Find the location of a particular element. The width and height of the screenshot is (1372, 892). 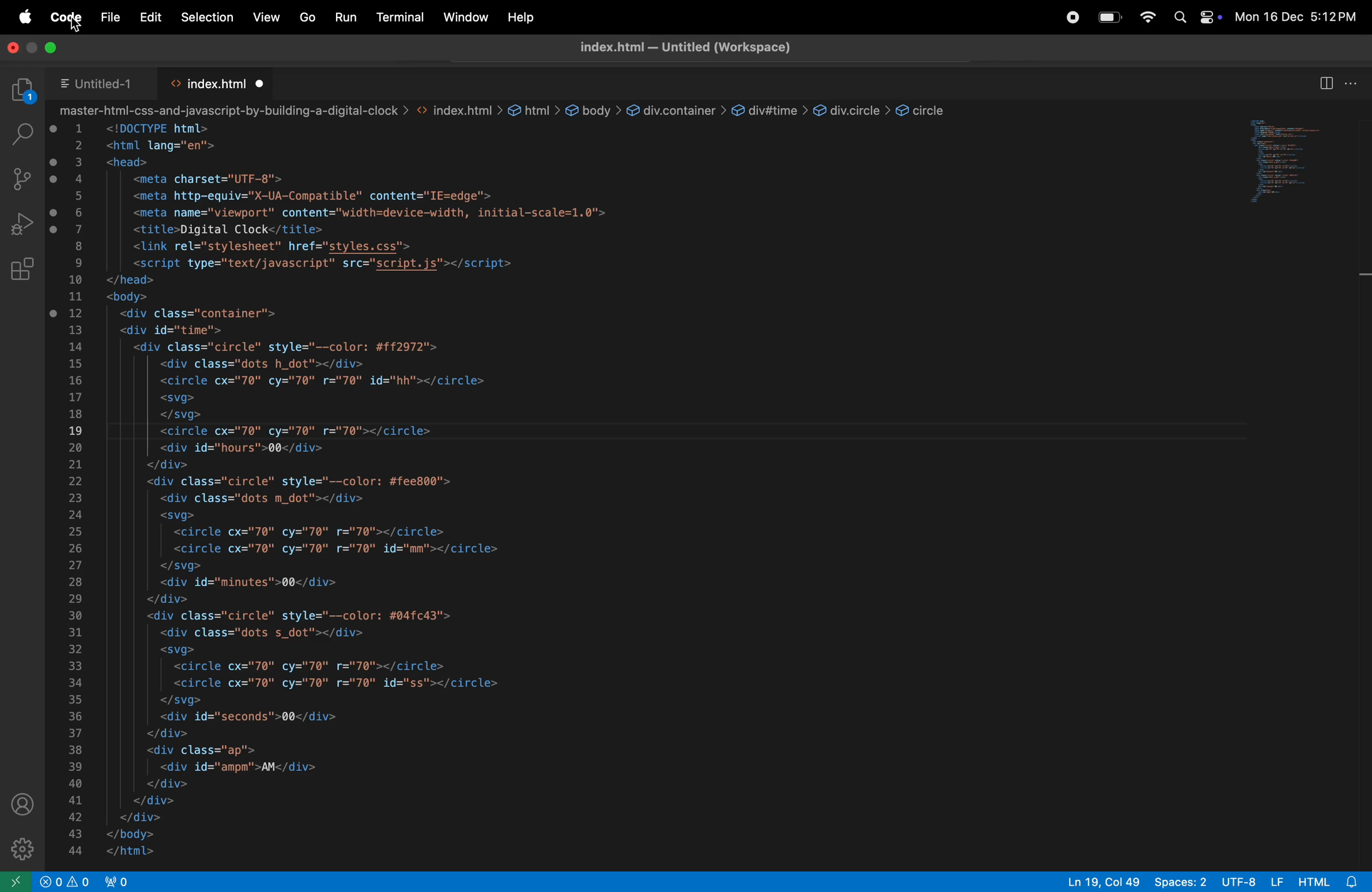

<circle cx="70" cy="70" r="70" id="mm"></circle> is located at coordinates (342, 550).